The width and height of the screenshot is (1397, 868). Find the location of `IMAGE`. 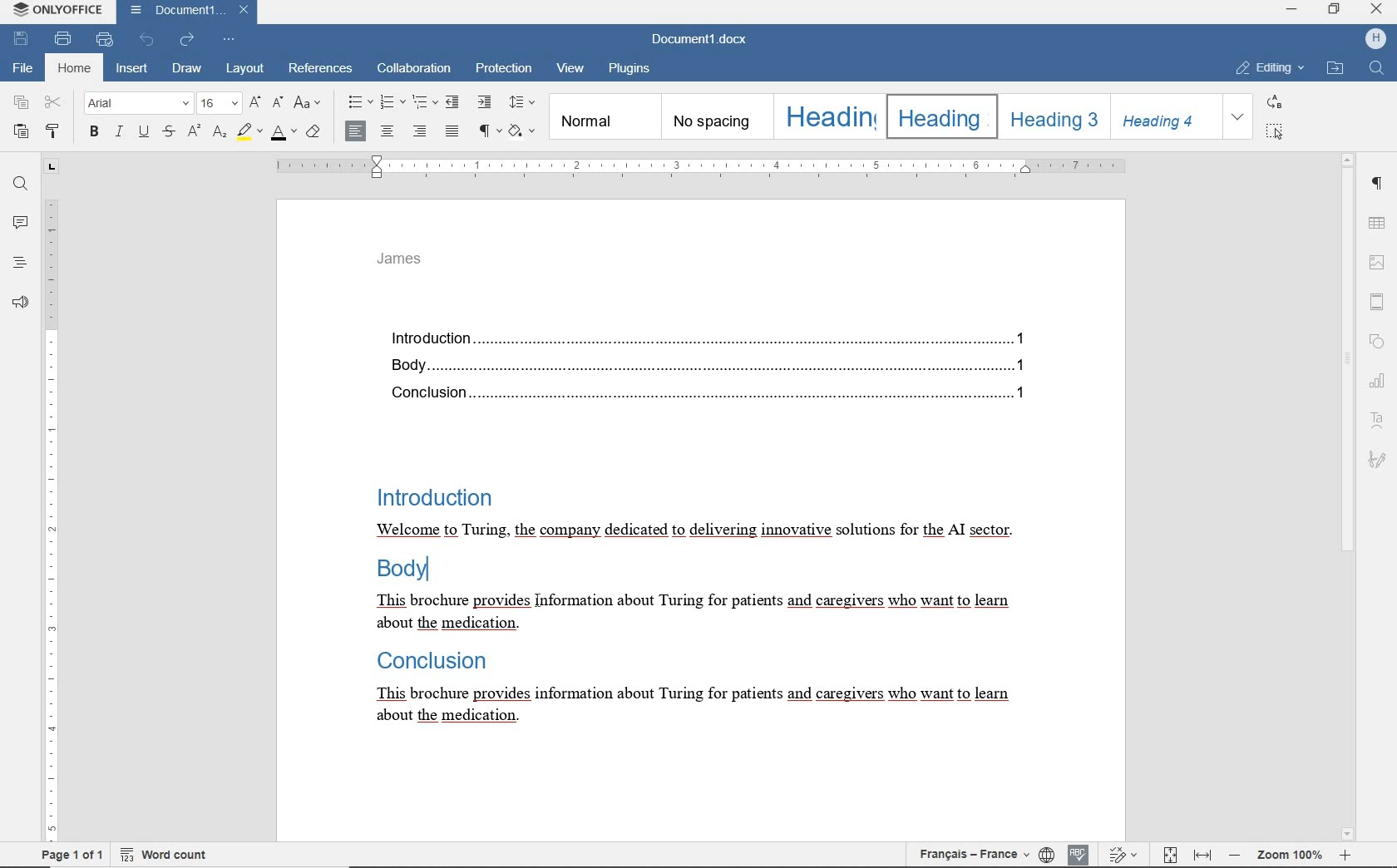

IMAGE is located at coordinates (1378, 259).